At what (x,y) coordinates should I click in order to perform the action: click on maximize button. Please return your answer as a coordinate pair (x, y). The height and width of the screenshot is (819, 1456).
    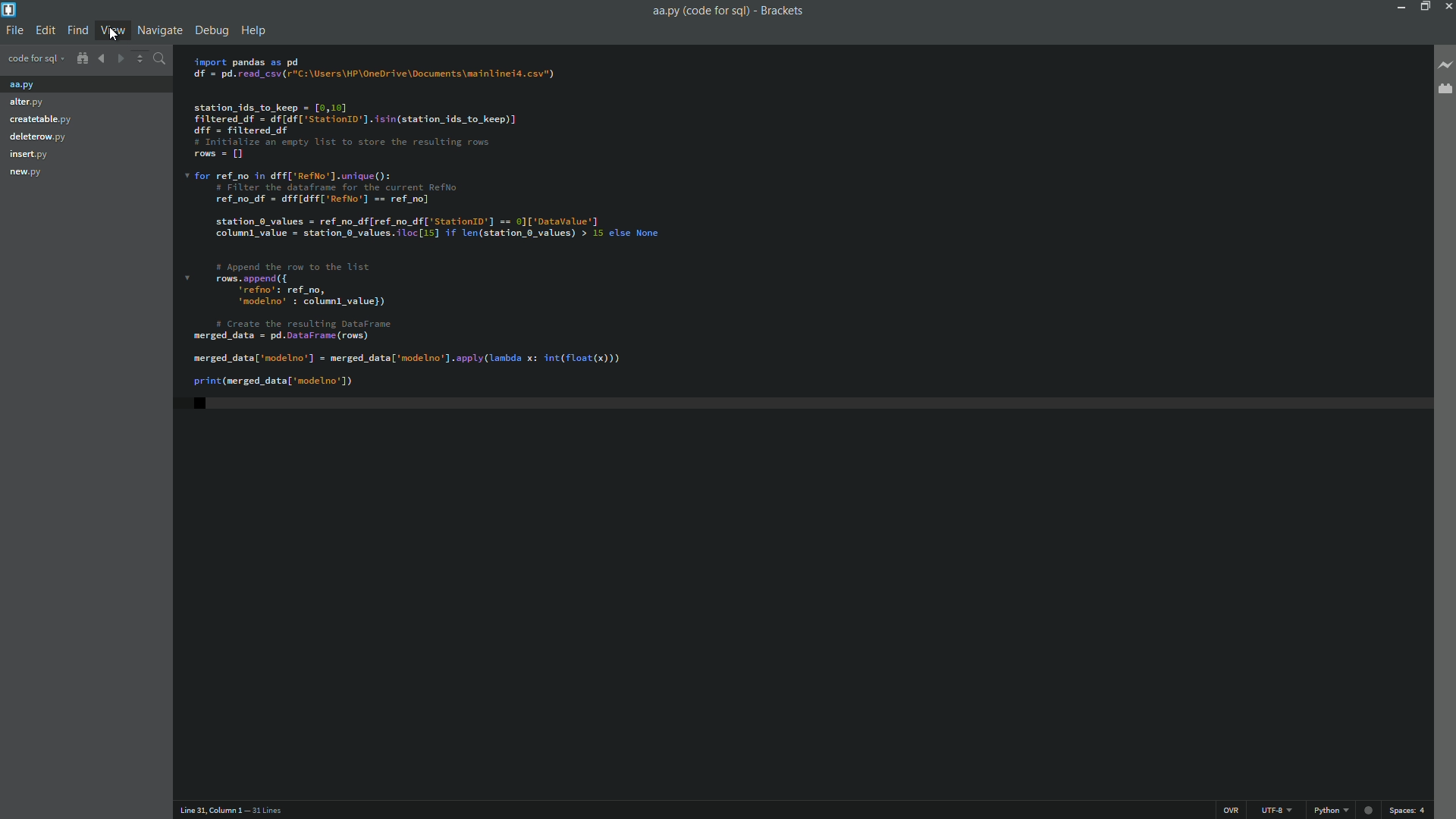
    Looking at the image, I should click on (1422, 8).